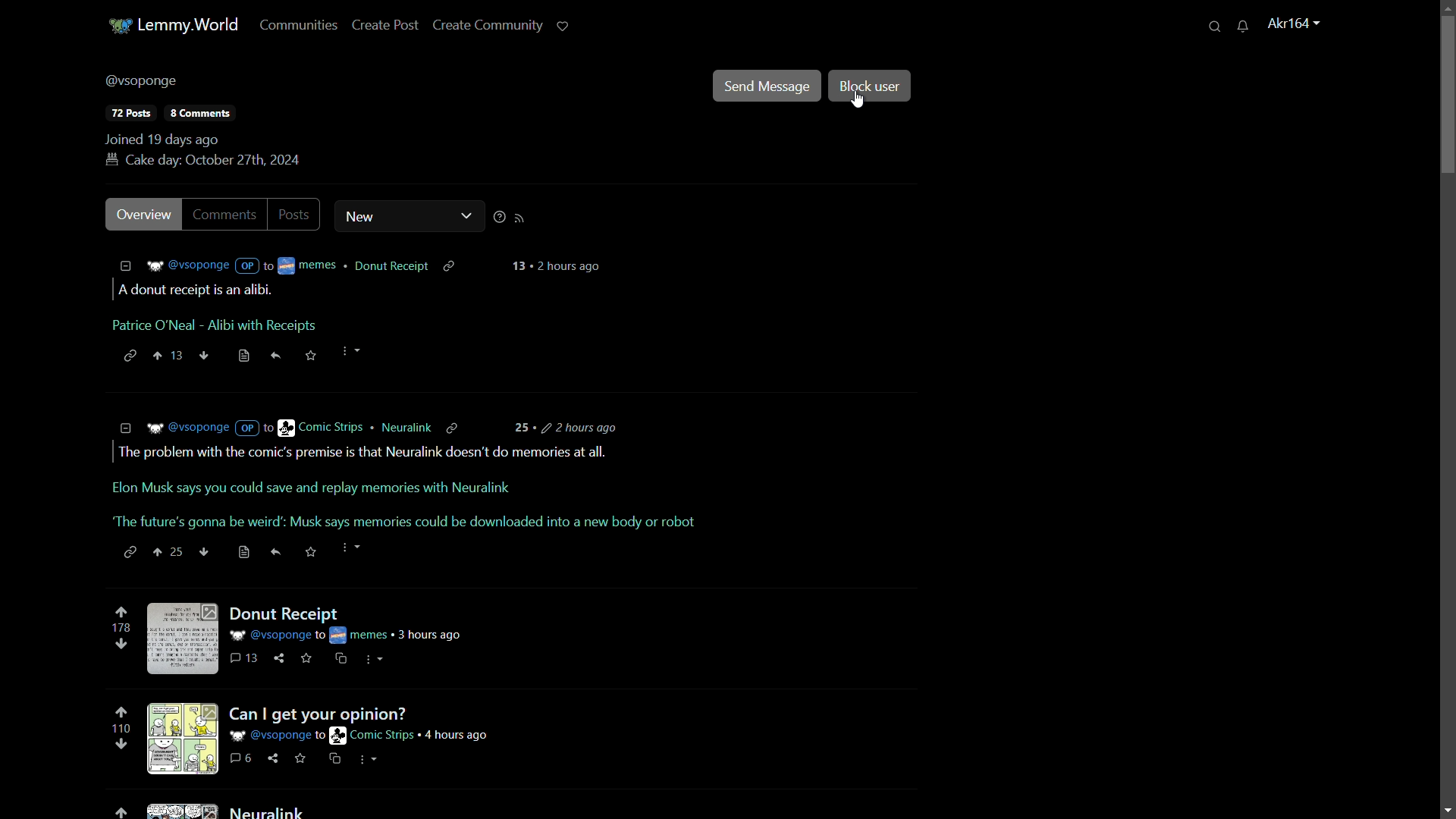 The image size is (1456, 819). I want to click on block user, so click(871, 86).